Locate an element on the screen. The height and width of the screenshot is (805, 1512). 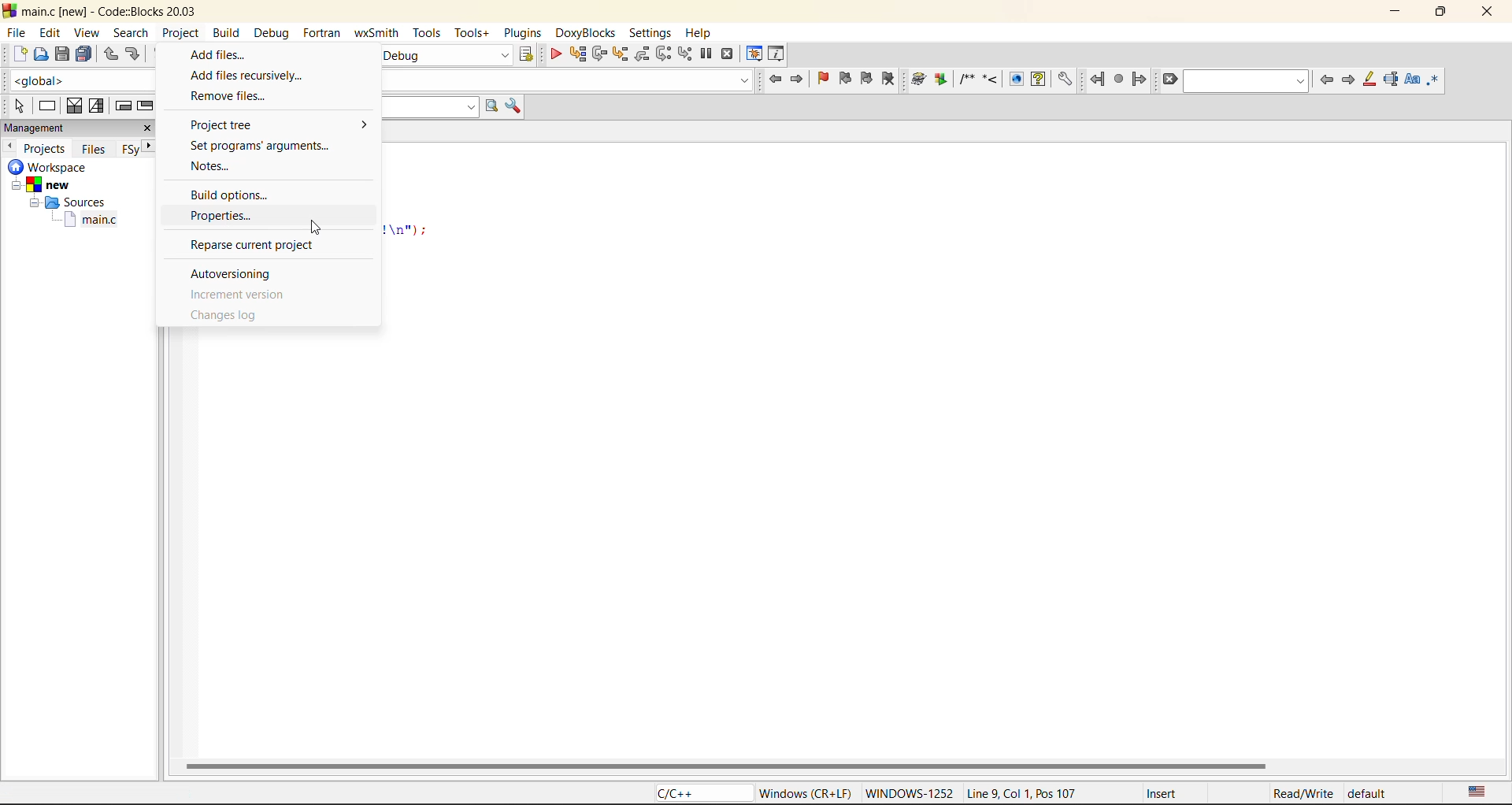
autoversioning is located at coordinates (235, 275).